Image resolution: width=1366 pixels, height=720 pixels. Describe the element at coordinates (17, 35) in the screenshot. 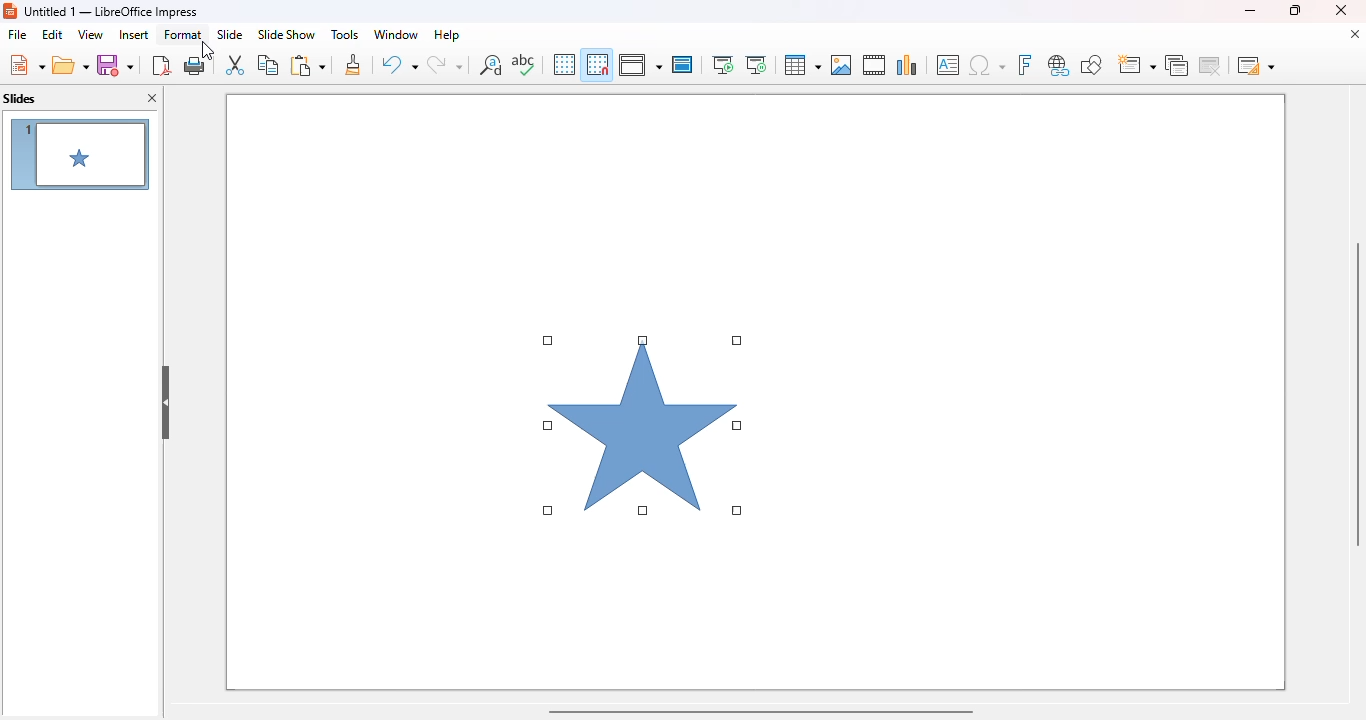

I see `file` at that location.